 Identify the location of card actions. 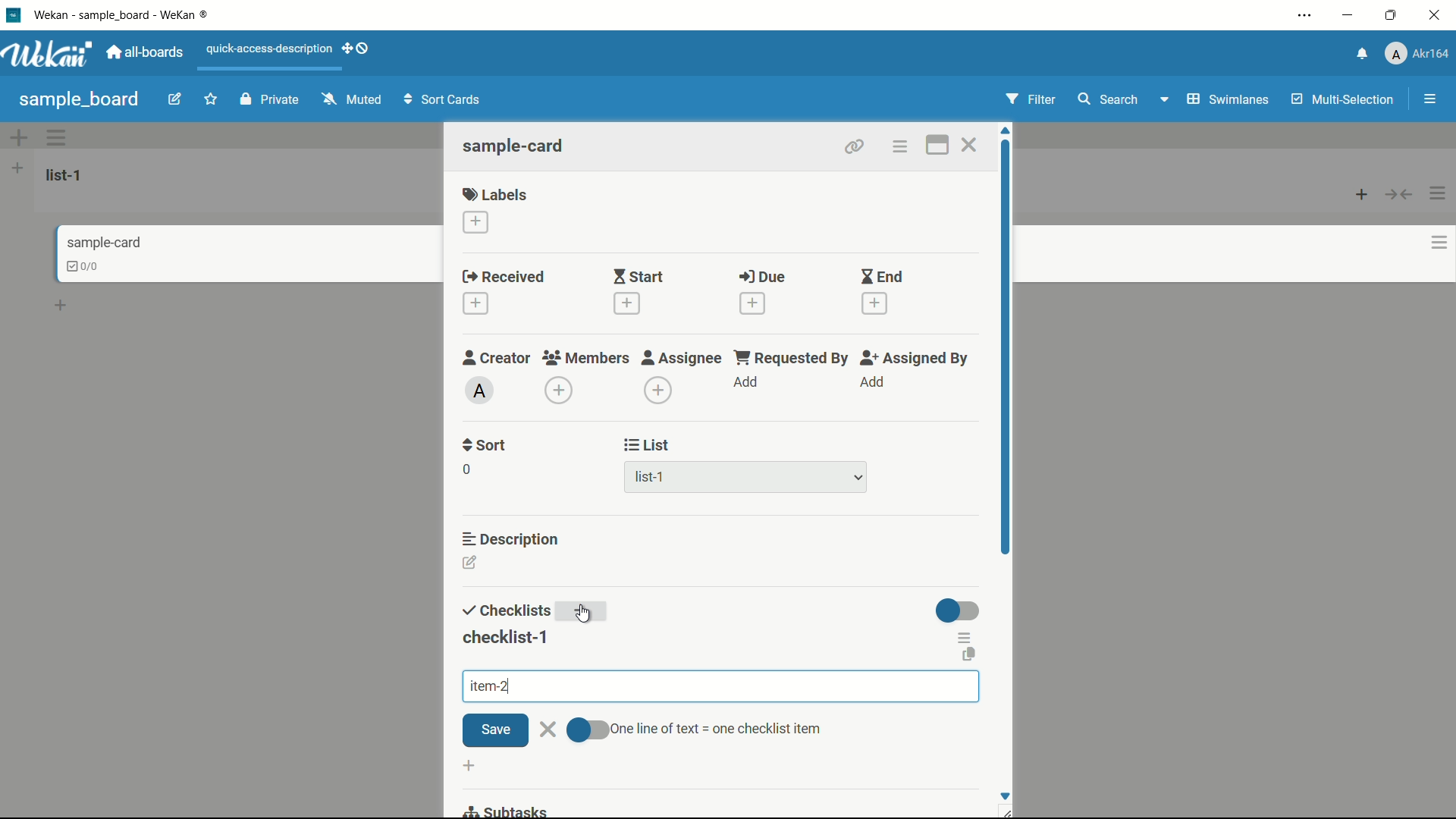
(899, 147).